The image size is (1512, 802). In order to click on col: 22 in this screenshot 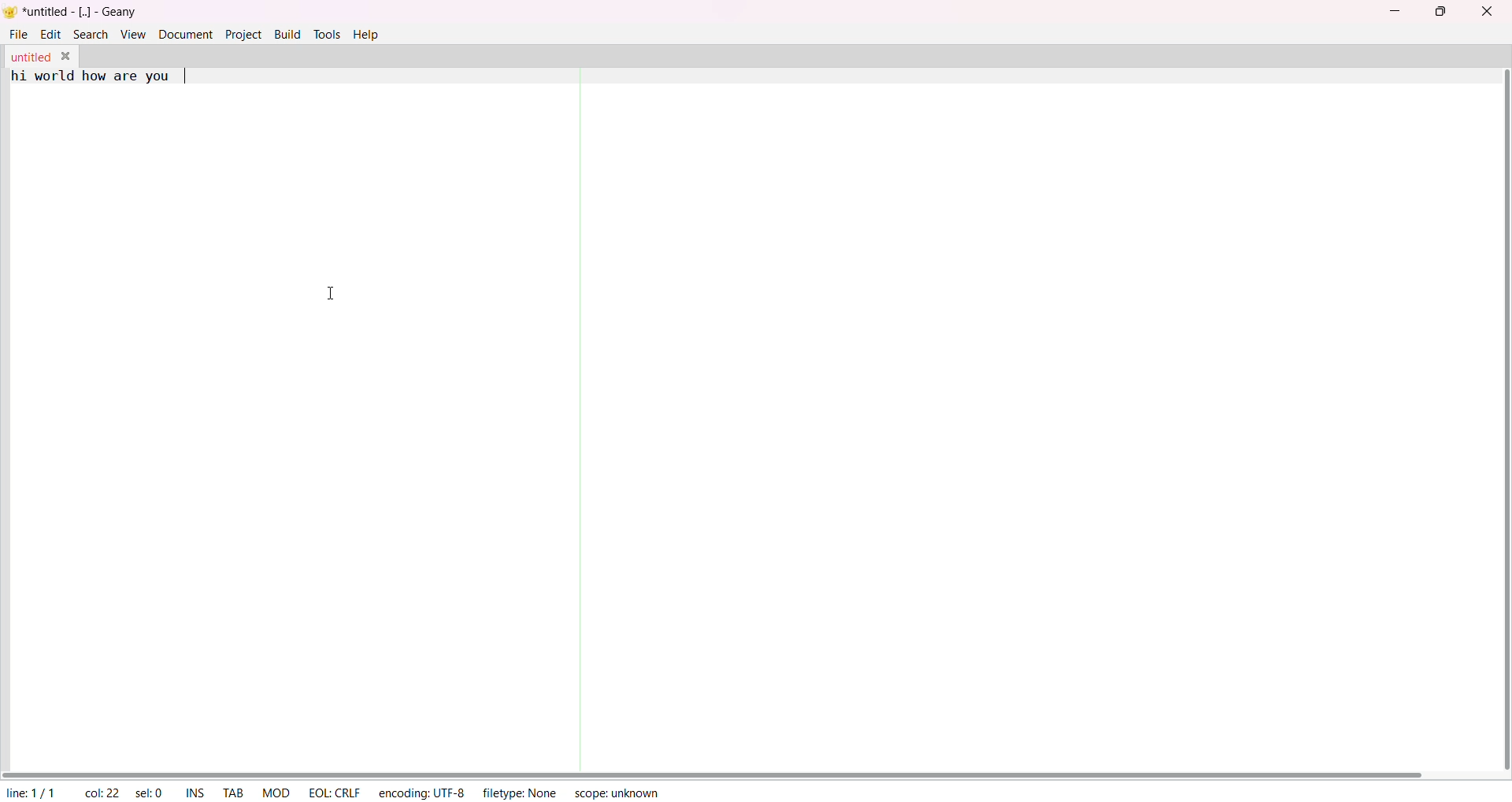, I will do `click(102, 792)`.